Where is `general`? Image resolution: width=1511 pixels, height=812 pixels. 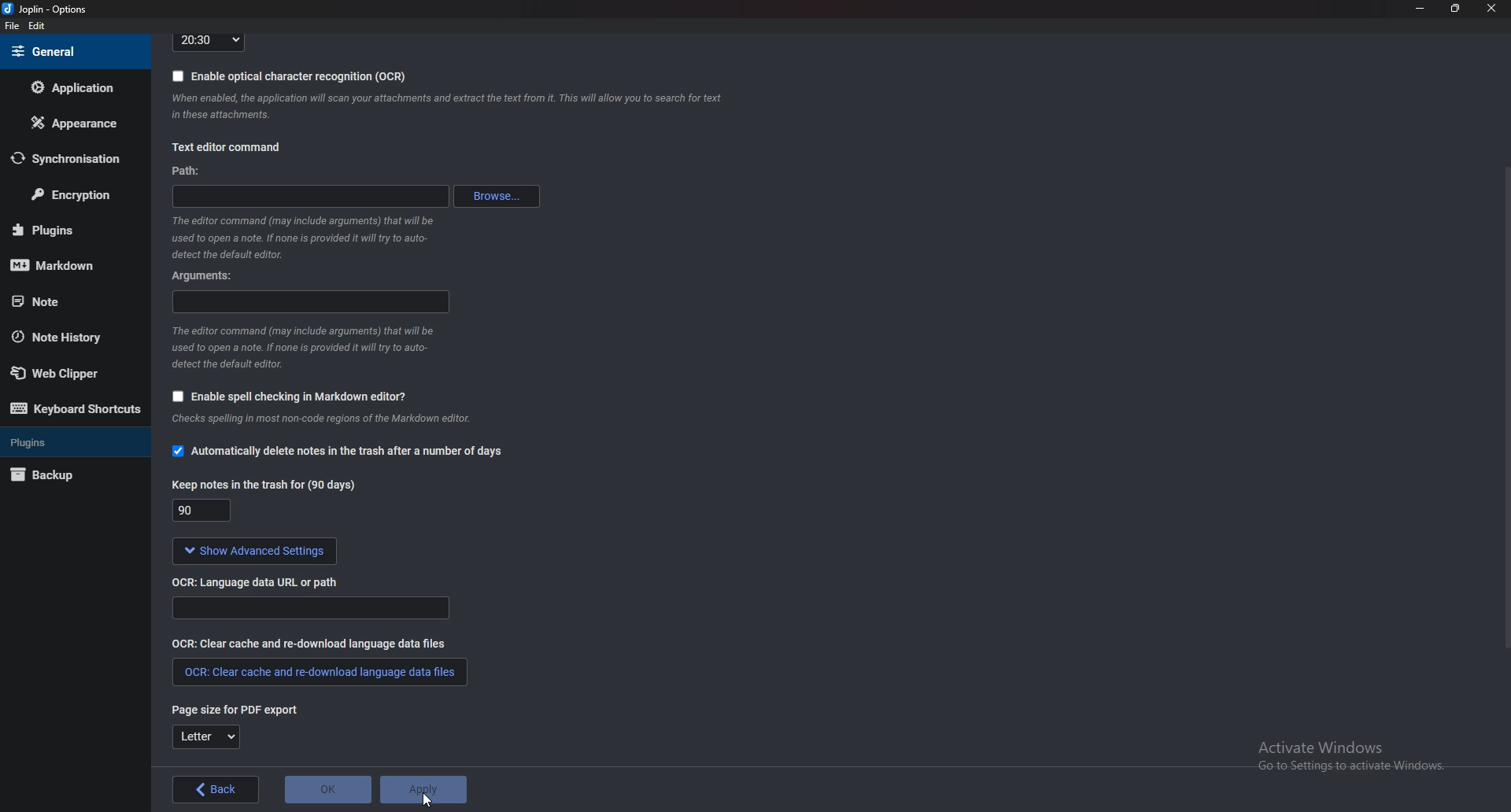
general is located at coordinates (72, 51).